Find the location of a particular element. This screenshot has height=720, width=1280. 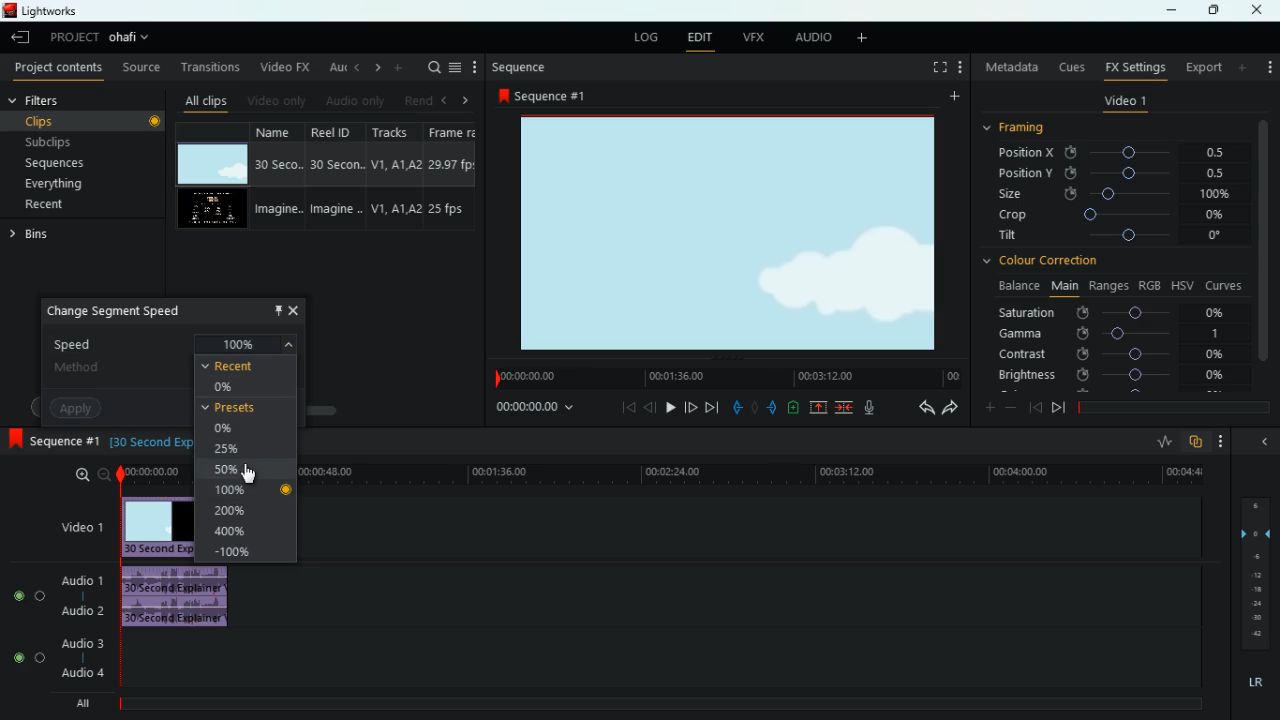

end is located at coordinates (714, 407).